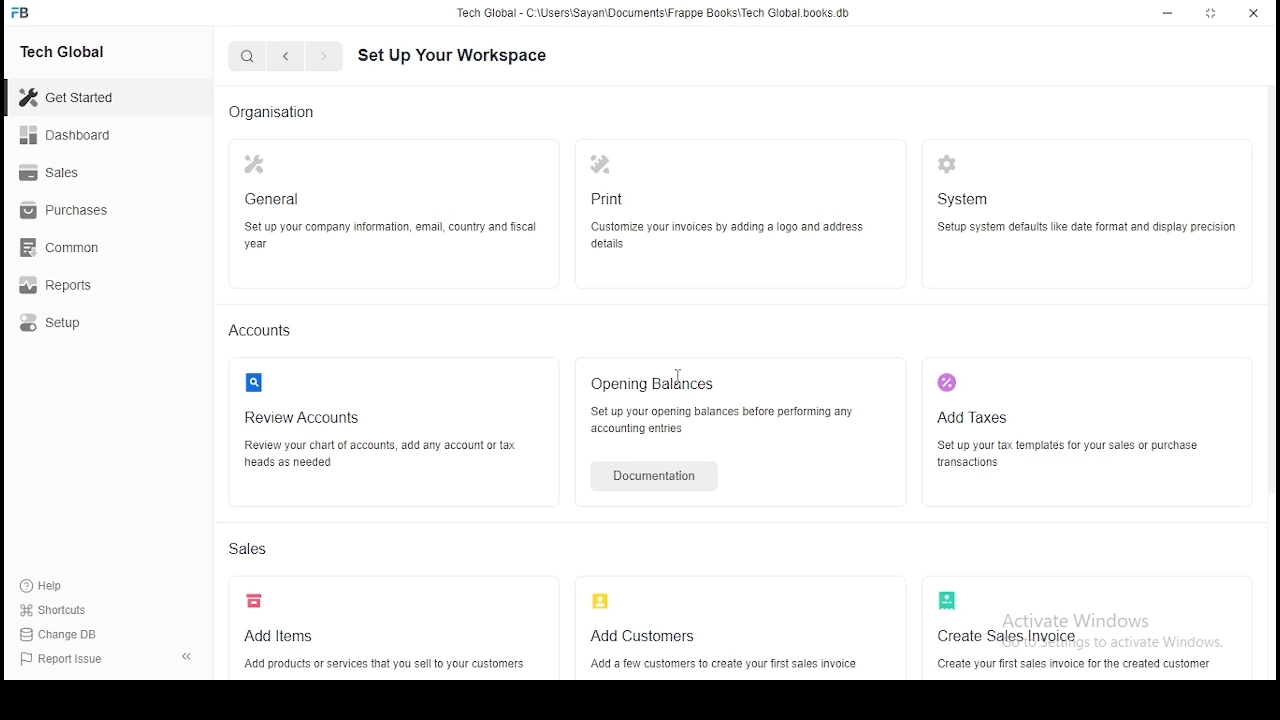 The image size is (1280, 720). What do you see at coordinates (1170, 14) in the screenshot?
I see `minimize ` at bounding box center [1170, 14].